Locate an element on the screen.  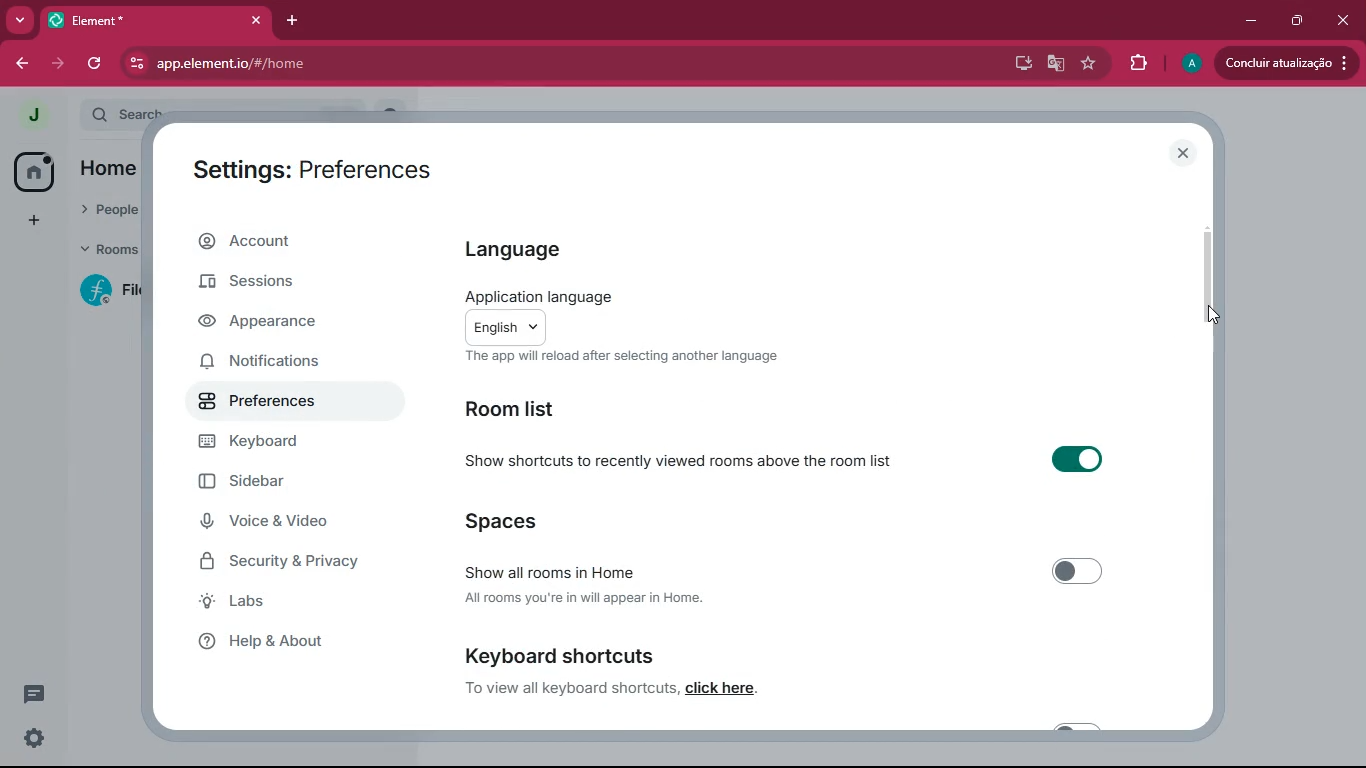
spaces is located at coordinates (531, 522).